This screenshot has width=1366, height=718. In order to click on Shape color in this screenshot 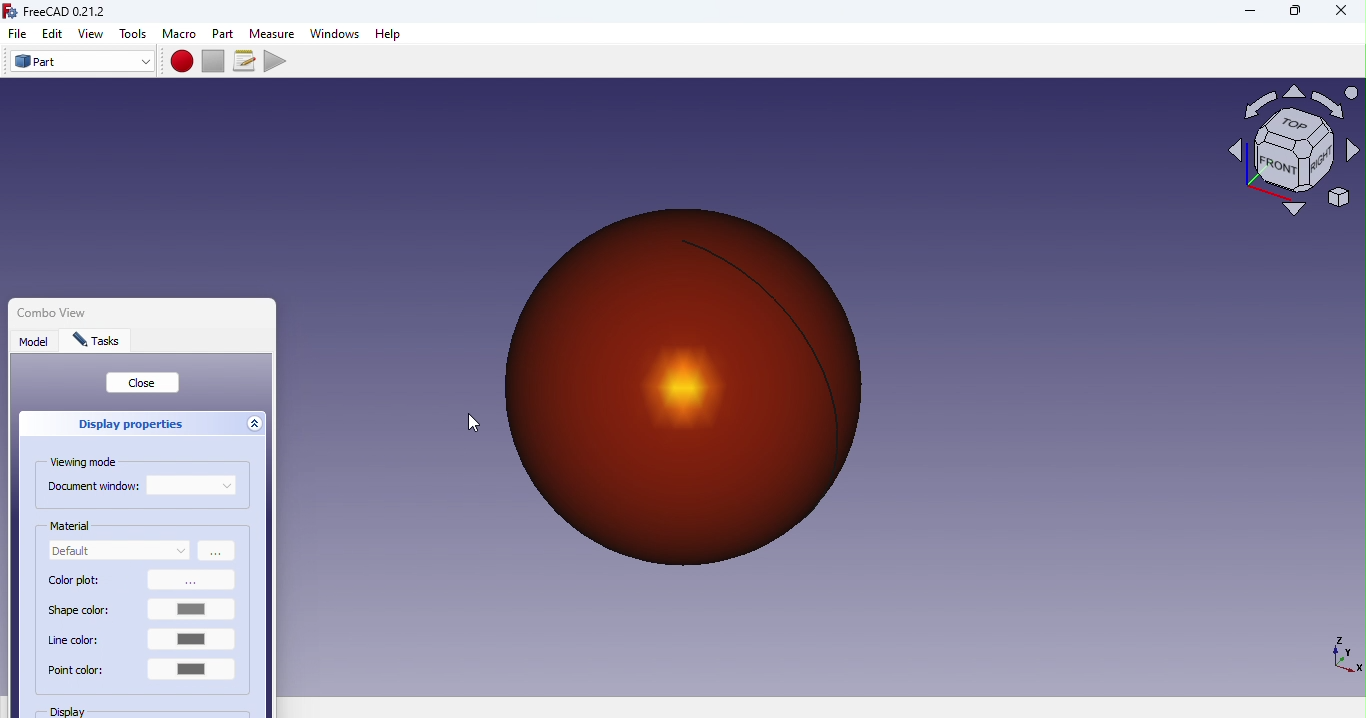, I will do `click(145, 611)`.